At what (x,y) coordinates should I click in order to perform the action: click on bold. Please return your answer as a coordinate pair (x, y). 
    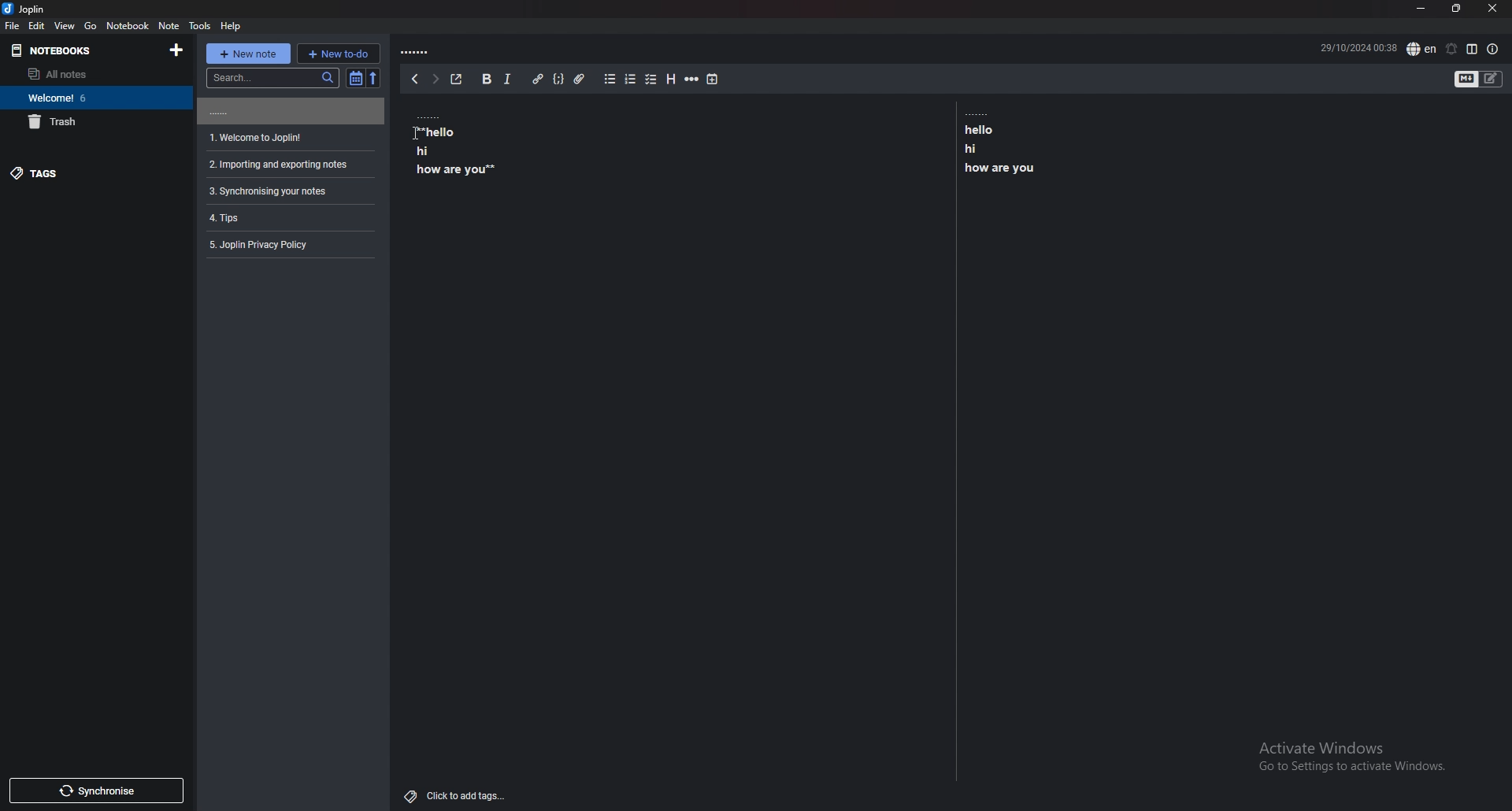
    Looking at the image, I should click on (486, 79).